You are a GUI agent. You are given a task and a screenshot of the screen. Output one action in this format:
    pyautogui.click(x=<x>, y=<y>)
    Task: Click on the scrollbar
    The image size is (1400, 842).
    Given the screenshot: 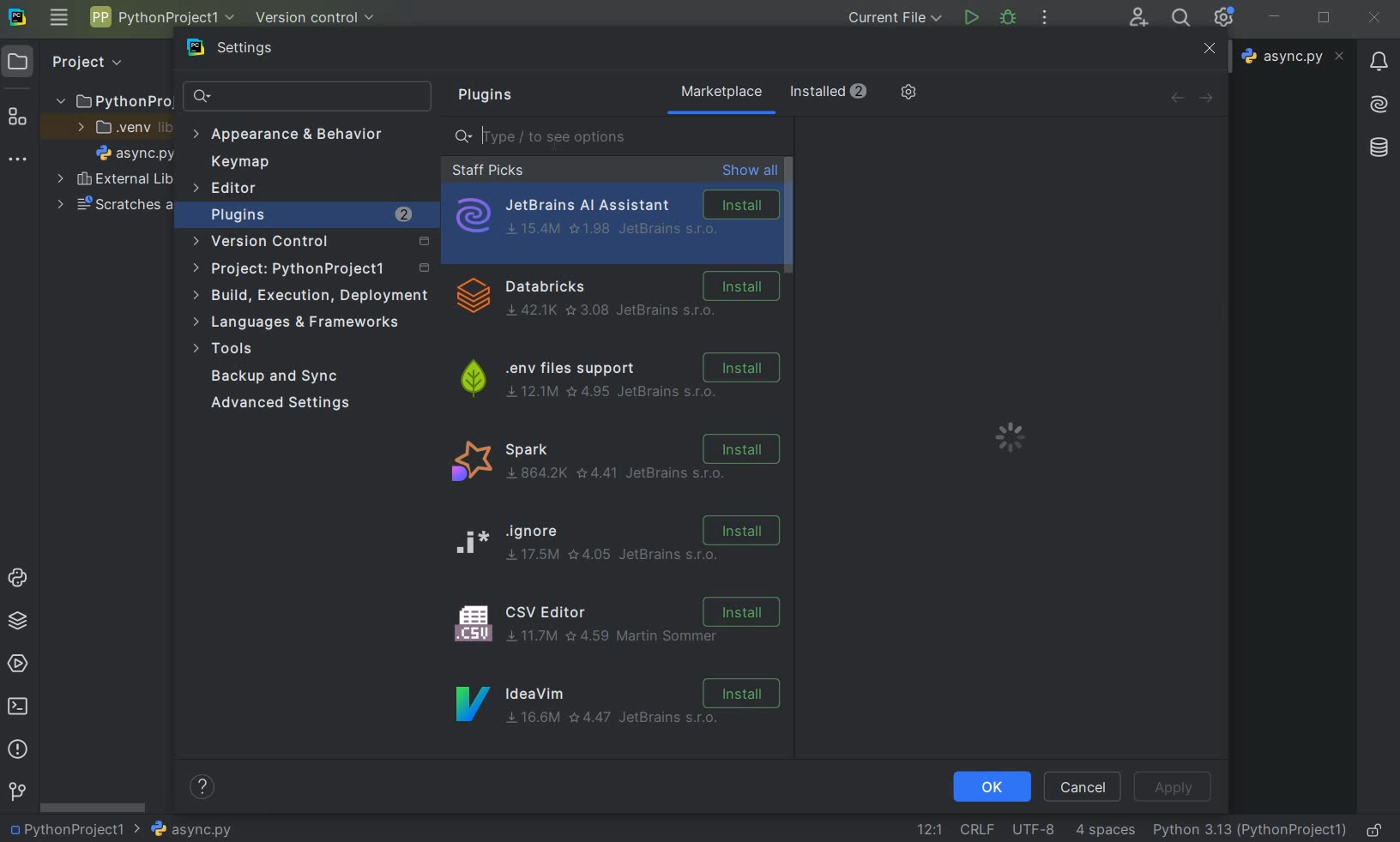 What is the action you would take?
    pyautogui.click(x=94, y=806)
    